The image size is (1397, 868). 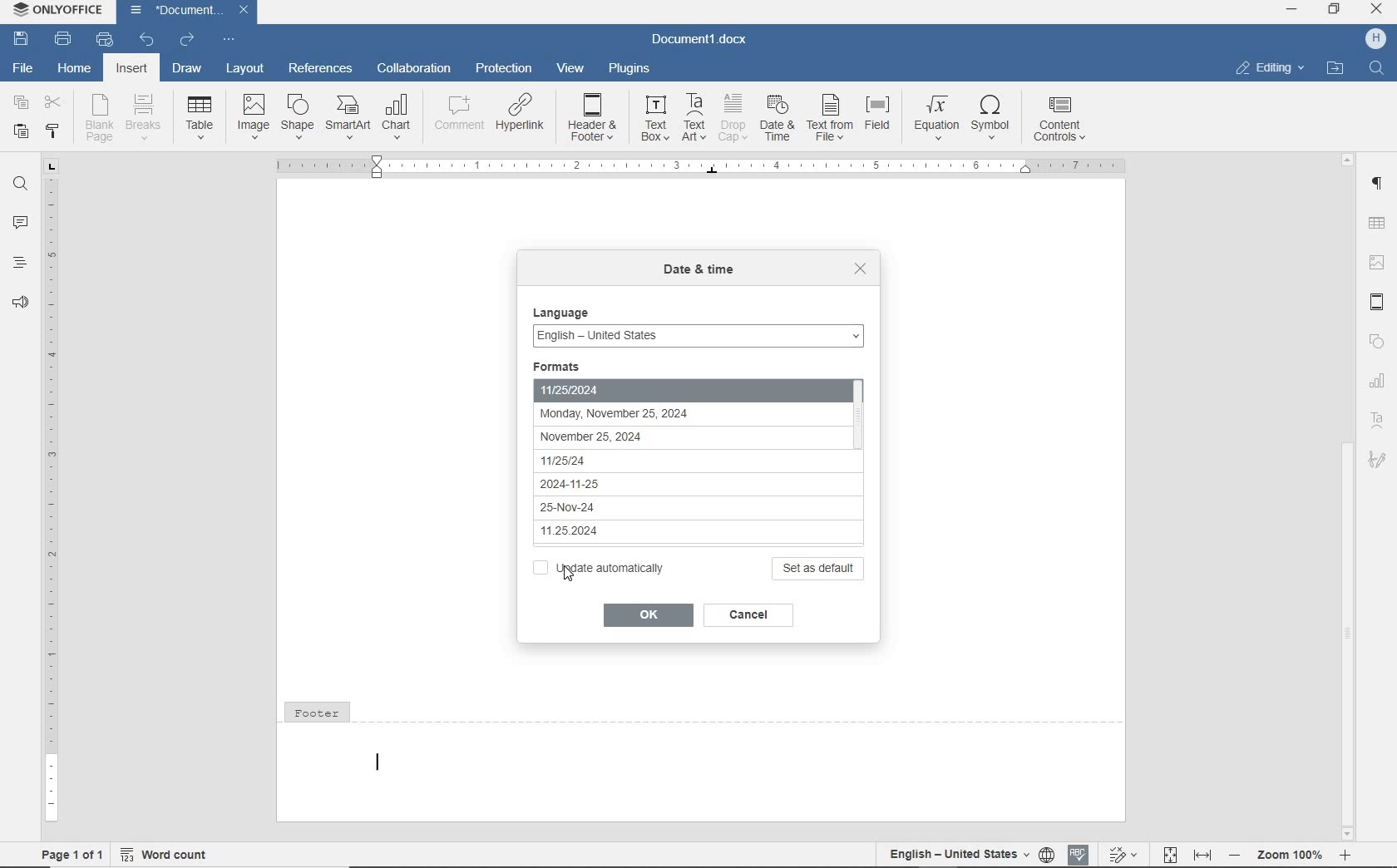 I want to click on find, so click(x=18, y=185).